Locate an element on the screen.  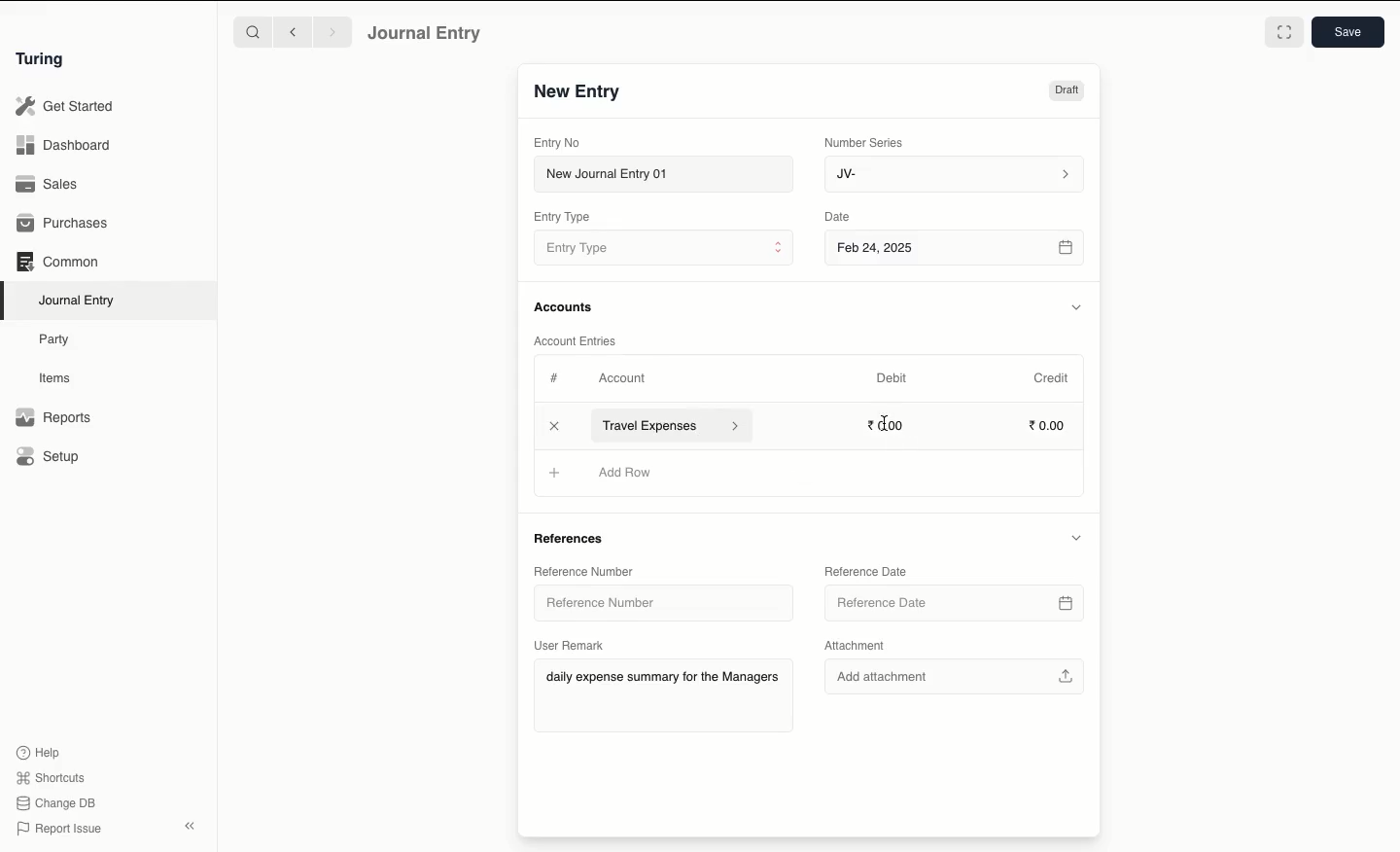
Accounts is located at coordinates (565, 307).